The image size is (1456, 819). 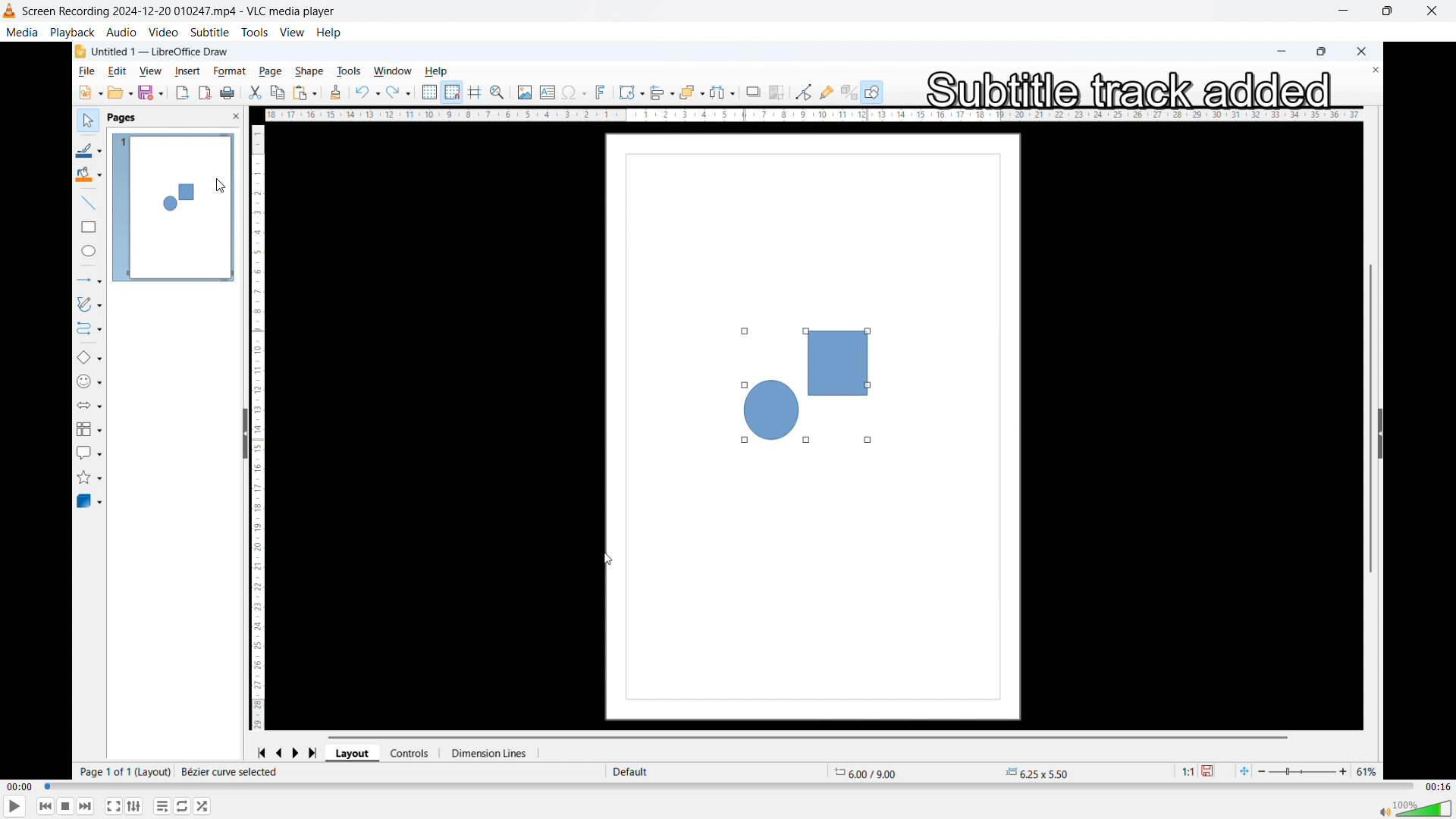 What do you see at coordinates (89, 451) in the screenshot?
I see `callout shape` at bounding box center [89, 451].